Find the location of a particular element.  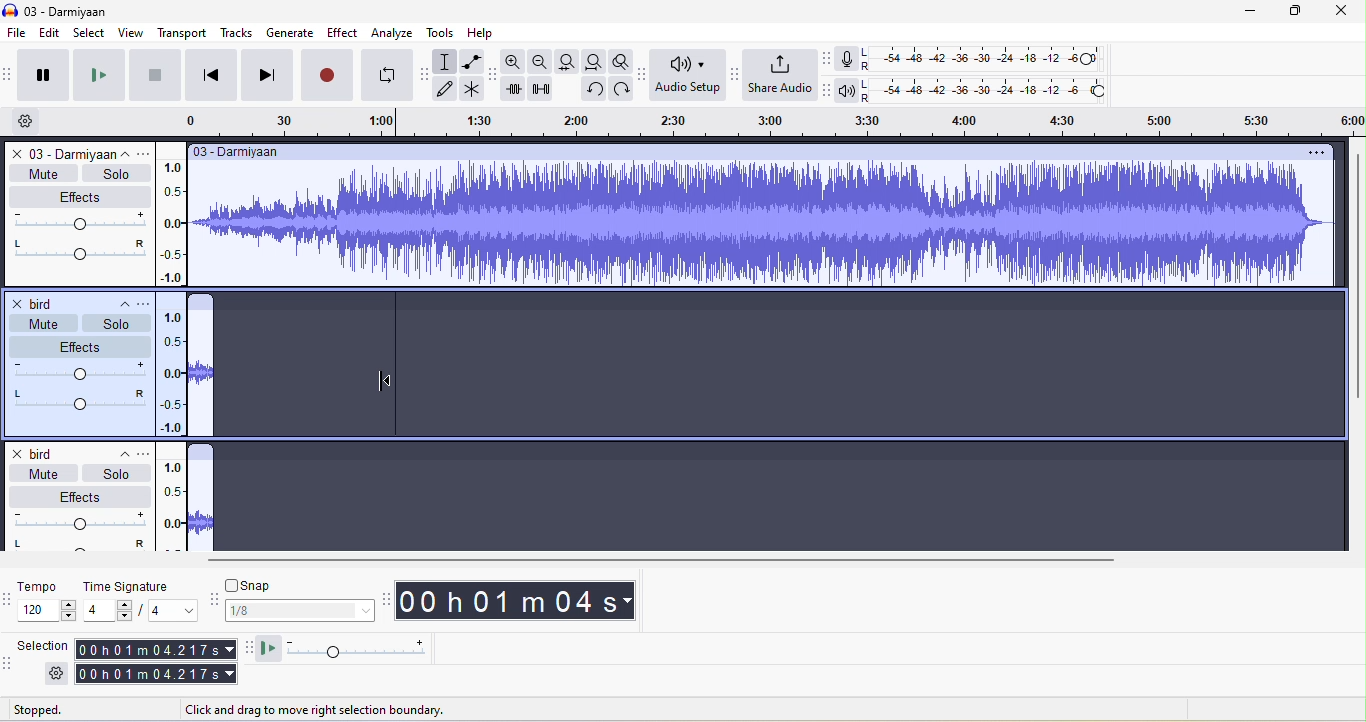

audio is located at coordinates (201, 373).